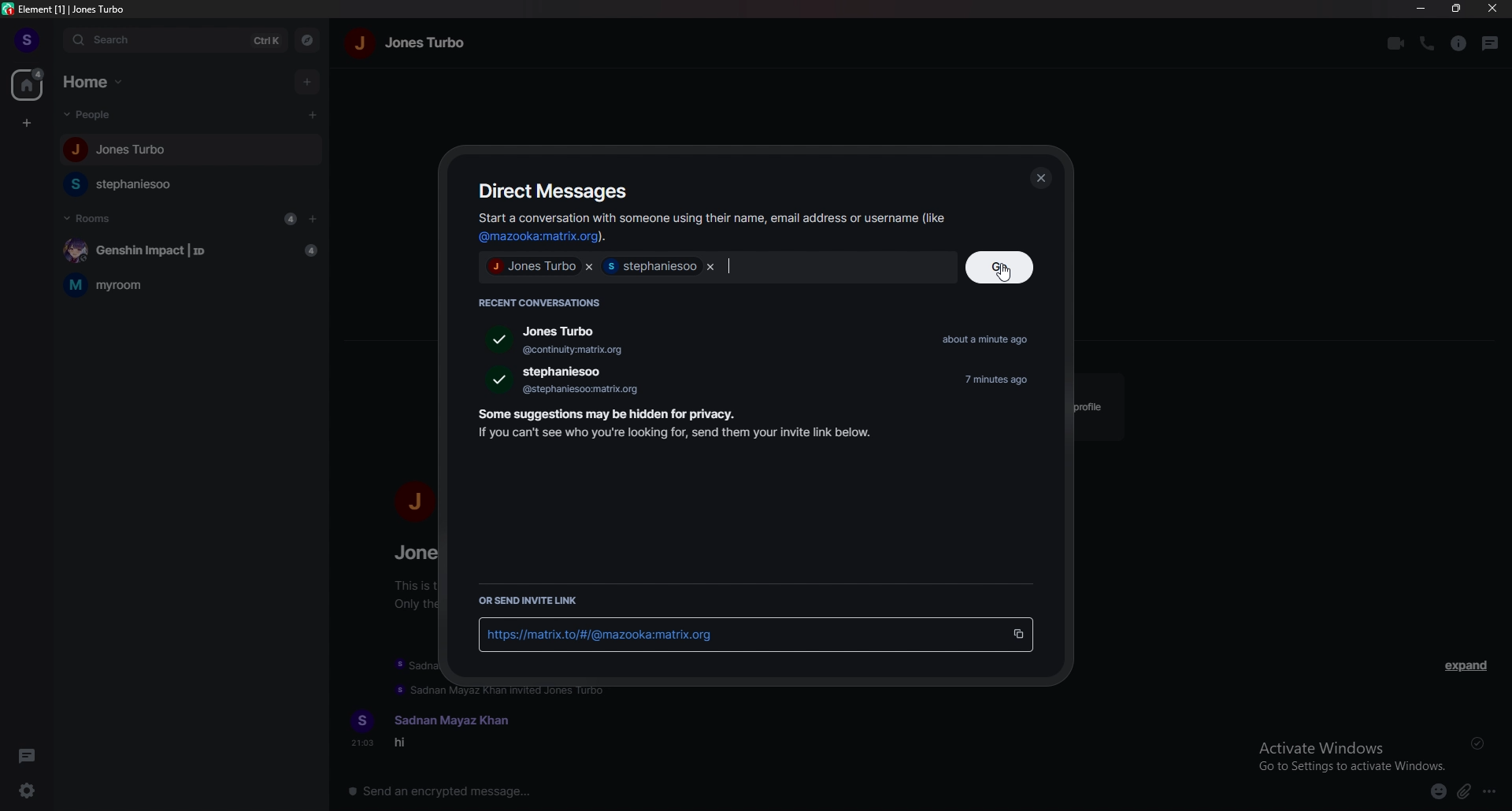  Describe the element at coordinates (94, 115) in the screenshot. I see `people` at that location.